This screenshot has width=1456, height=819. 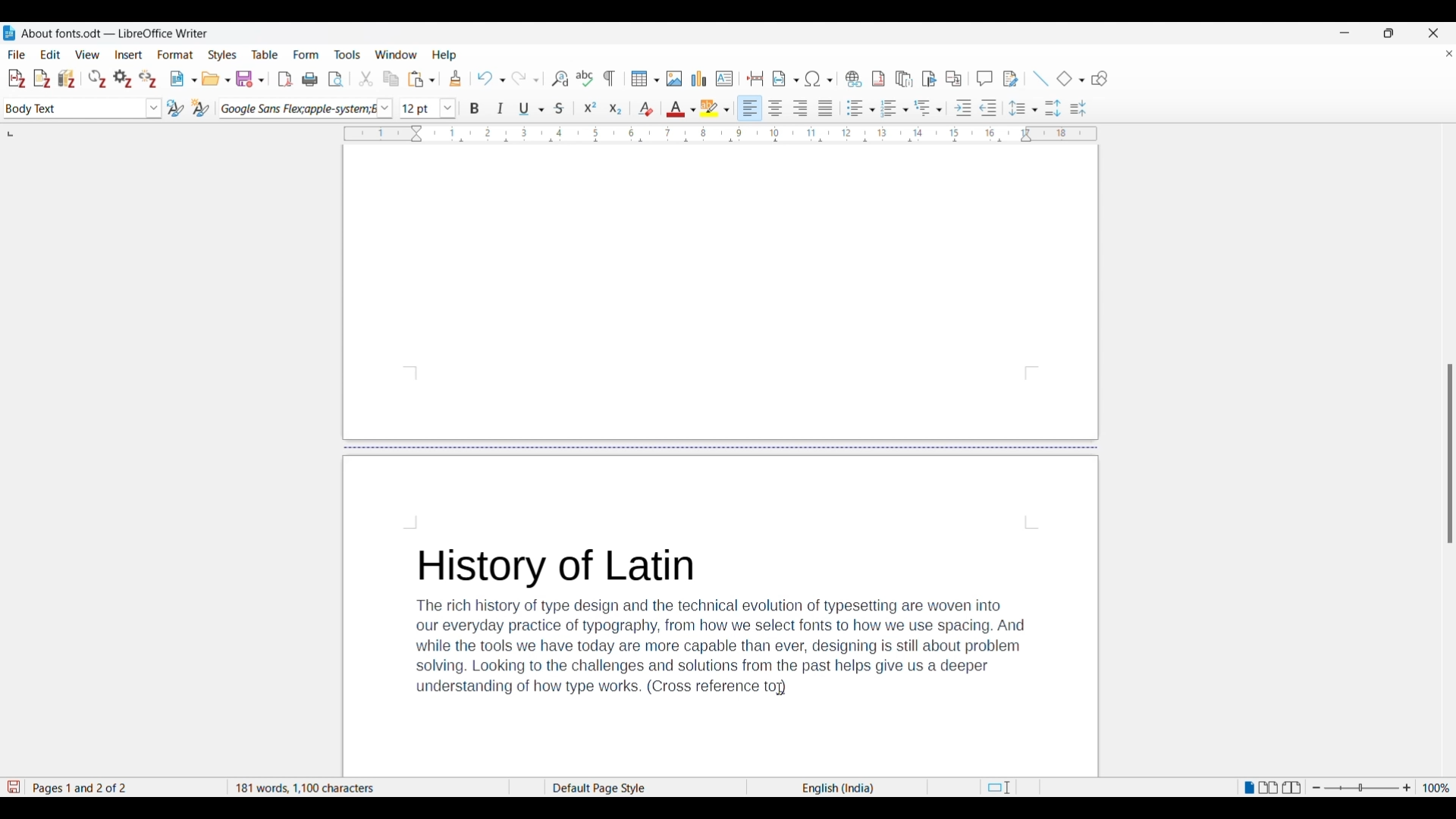 What do you see at coordinates (750, 108) in the screenshot?
I see `Align left, current selection highlighted` at bounding box center [750, 108].